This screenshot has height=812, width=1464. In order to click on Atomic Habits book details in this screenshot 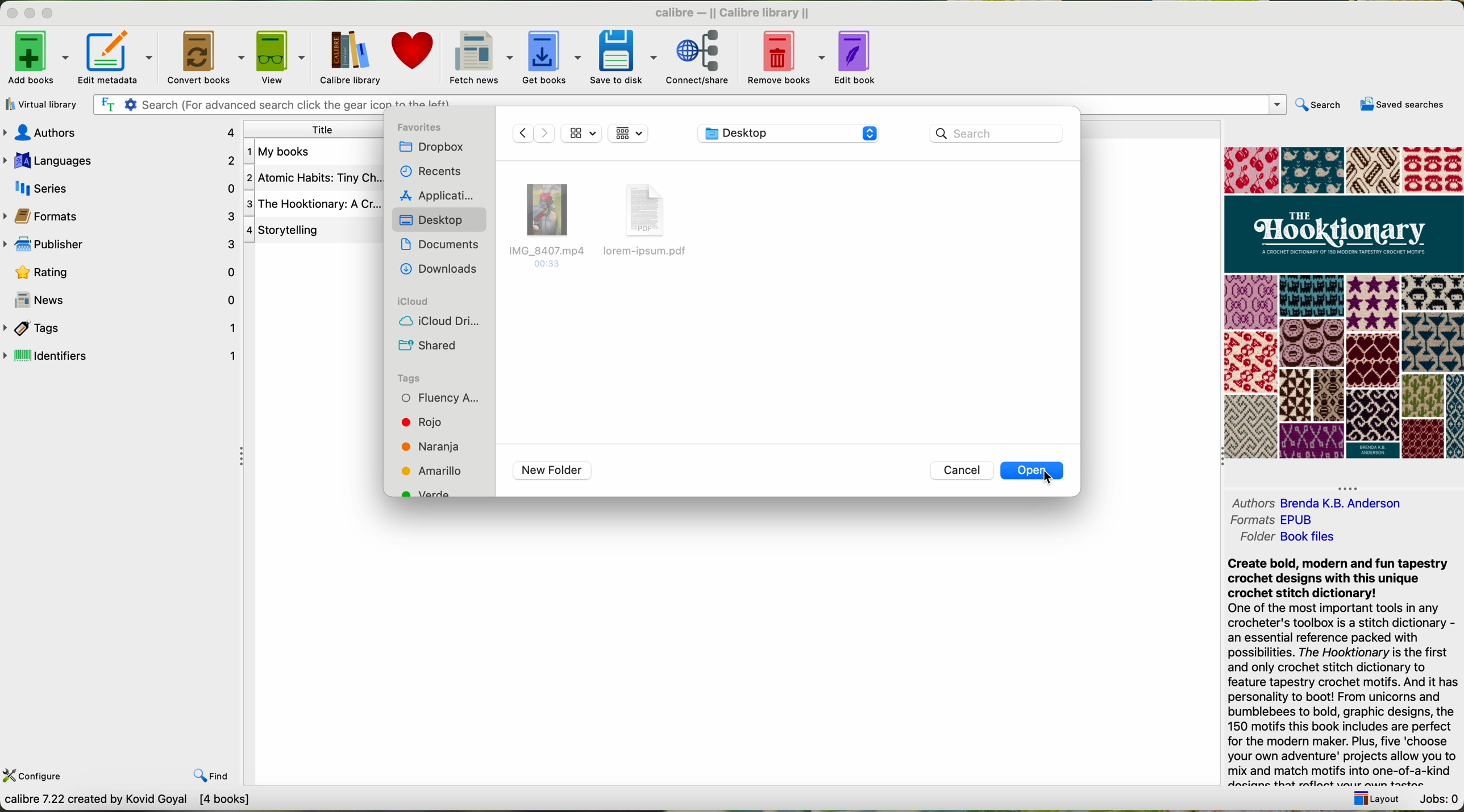, I will do `click(287, 154)`.